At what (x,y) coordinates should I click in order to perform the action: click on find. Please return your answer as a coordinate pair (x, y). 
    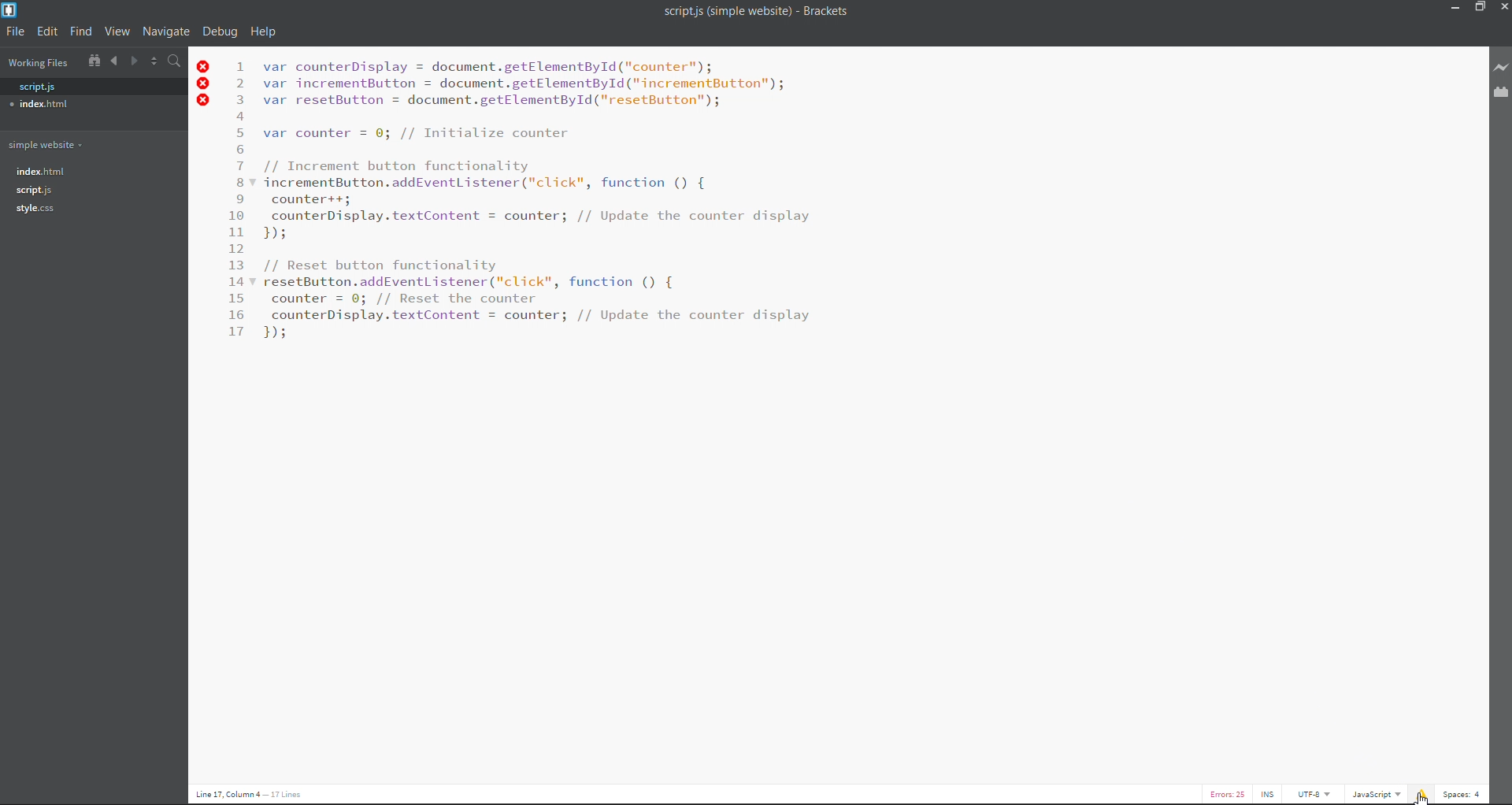
    Looking at the image, I should click on (83, 32).